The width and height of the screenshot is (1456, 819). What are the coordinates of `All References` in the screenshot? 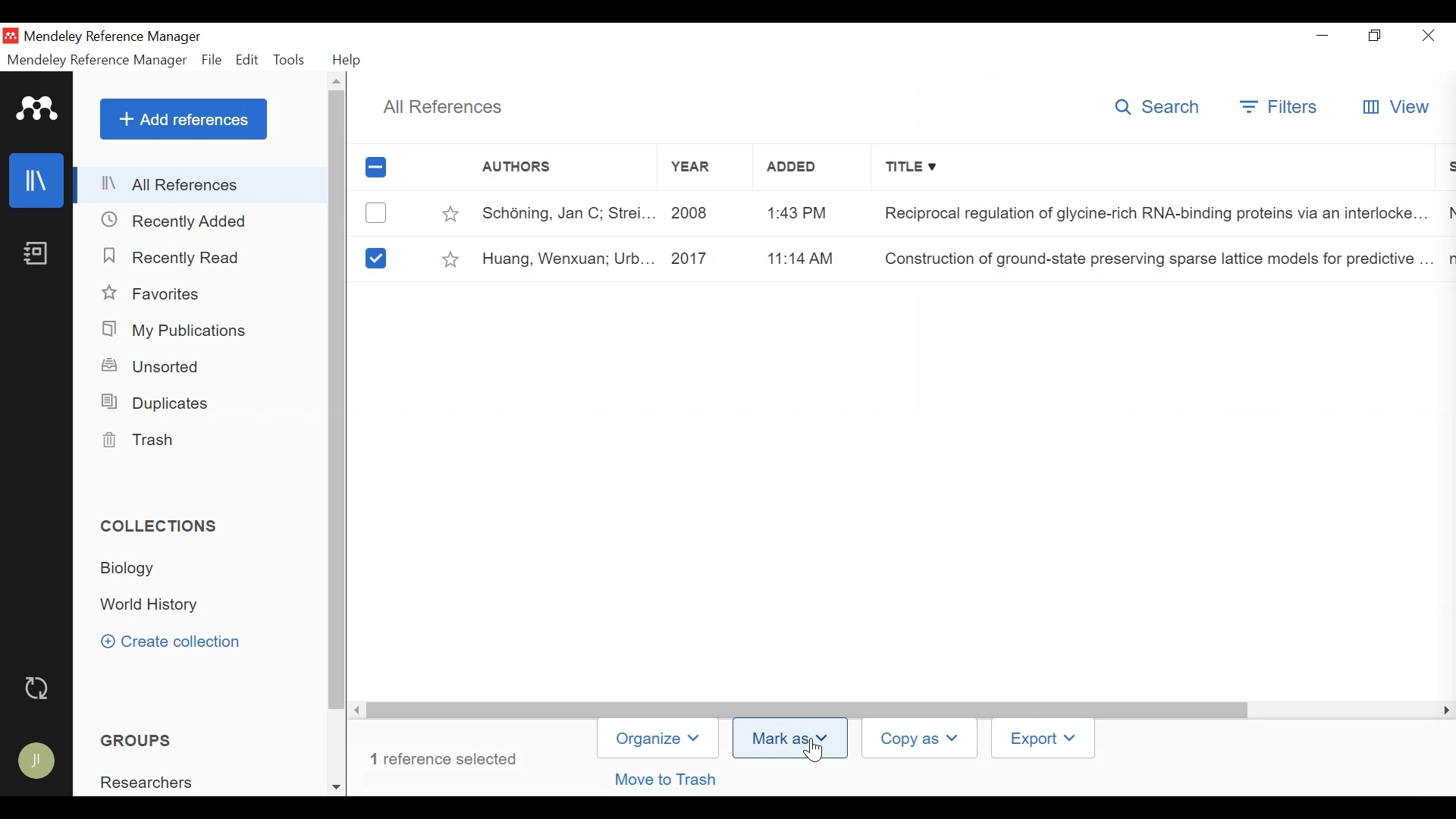 It's located at (440, 107).